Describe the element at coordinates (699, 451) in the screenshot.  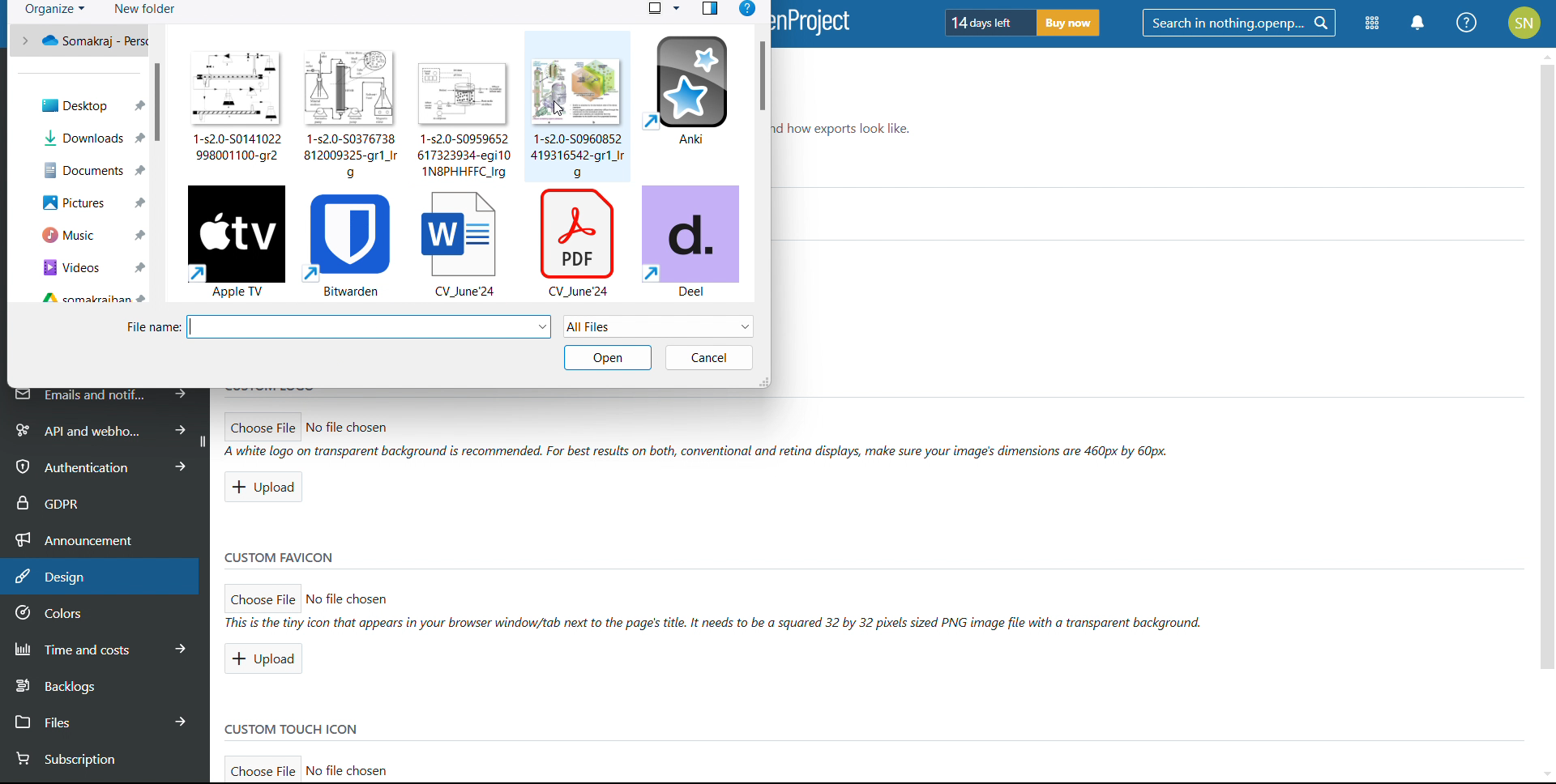
I see `A white logo on transparent background (s recommended. For best results on both, conventional and retina displays, make sure your images dimensions are 460px by 60px.` at that location.